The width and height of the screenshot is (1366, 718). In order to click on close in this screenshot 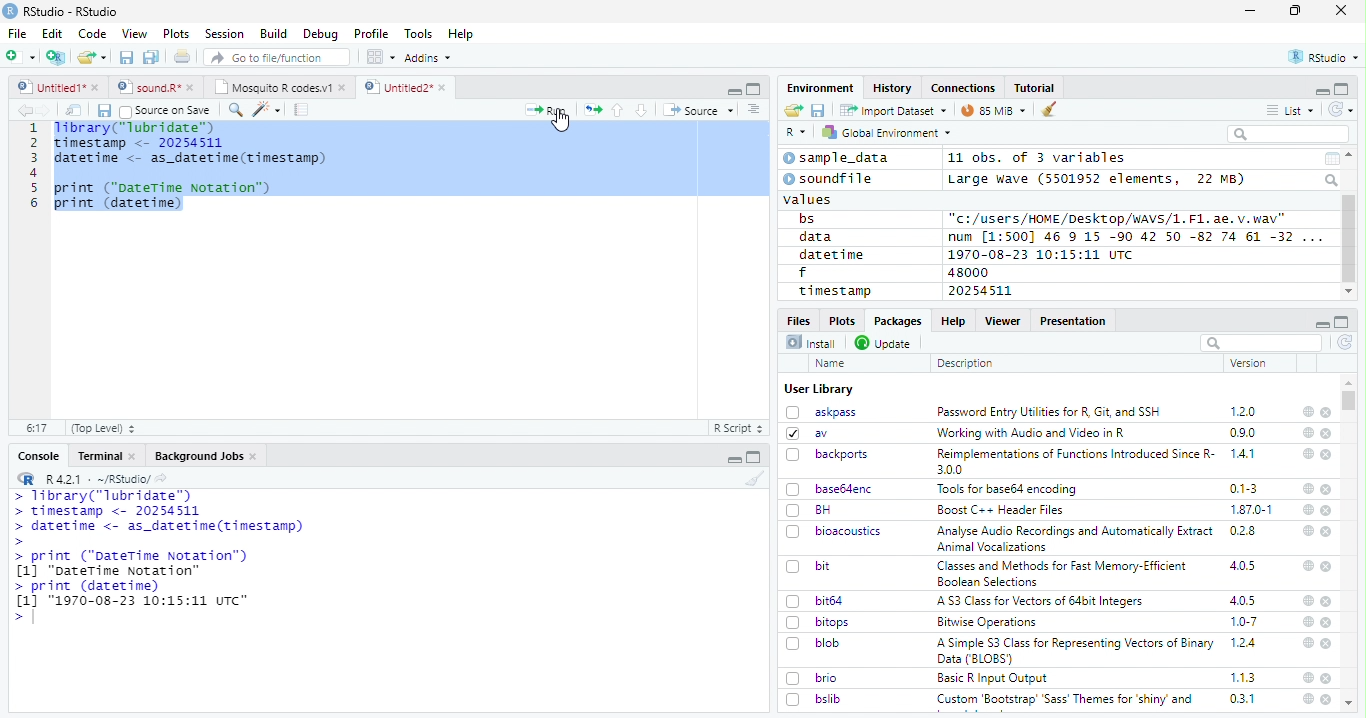, I will do `click(1328, 644)`.